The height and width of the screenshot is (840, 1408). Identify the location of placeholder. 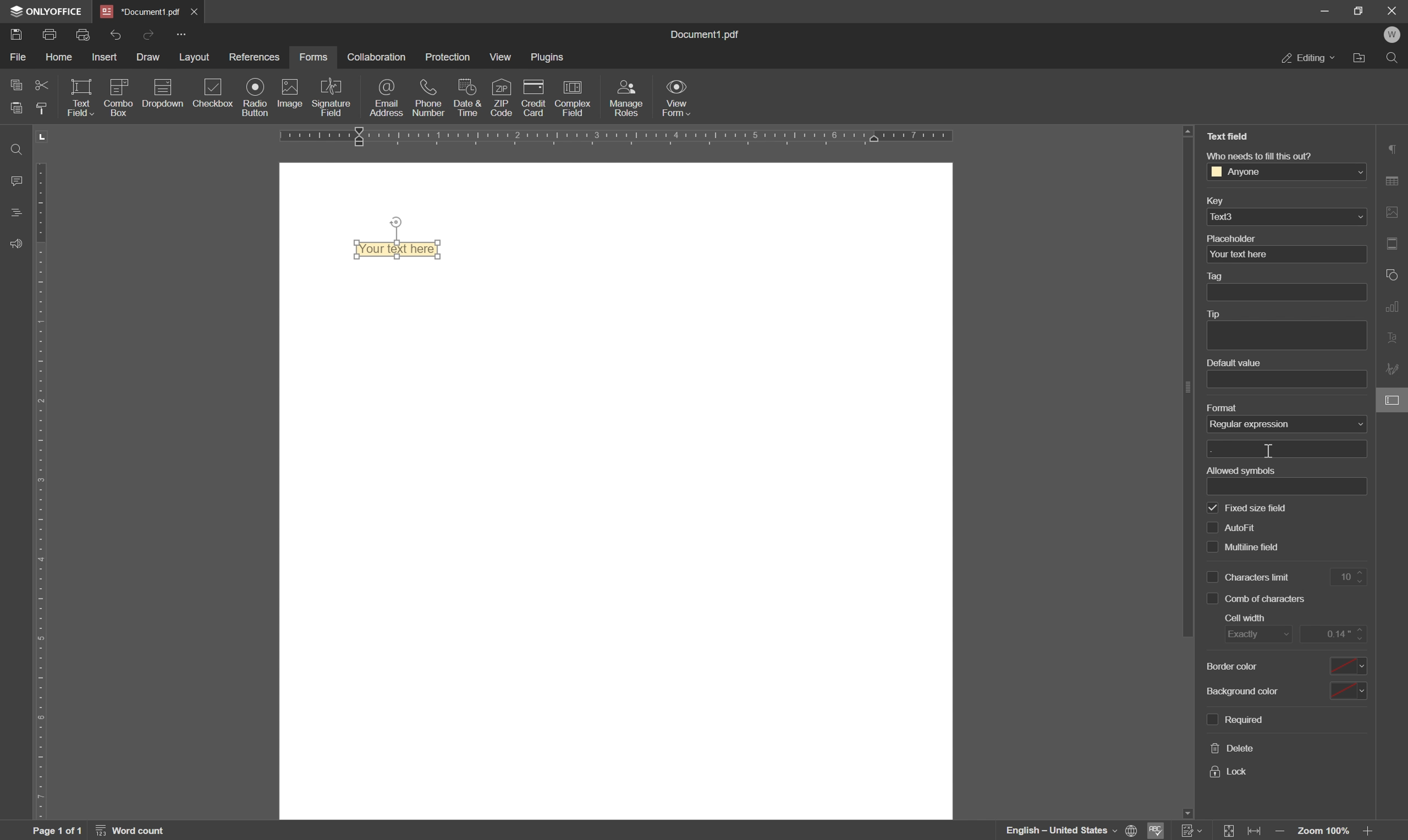
(1233, 238).